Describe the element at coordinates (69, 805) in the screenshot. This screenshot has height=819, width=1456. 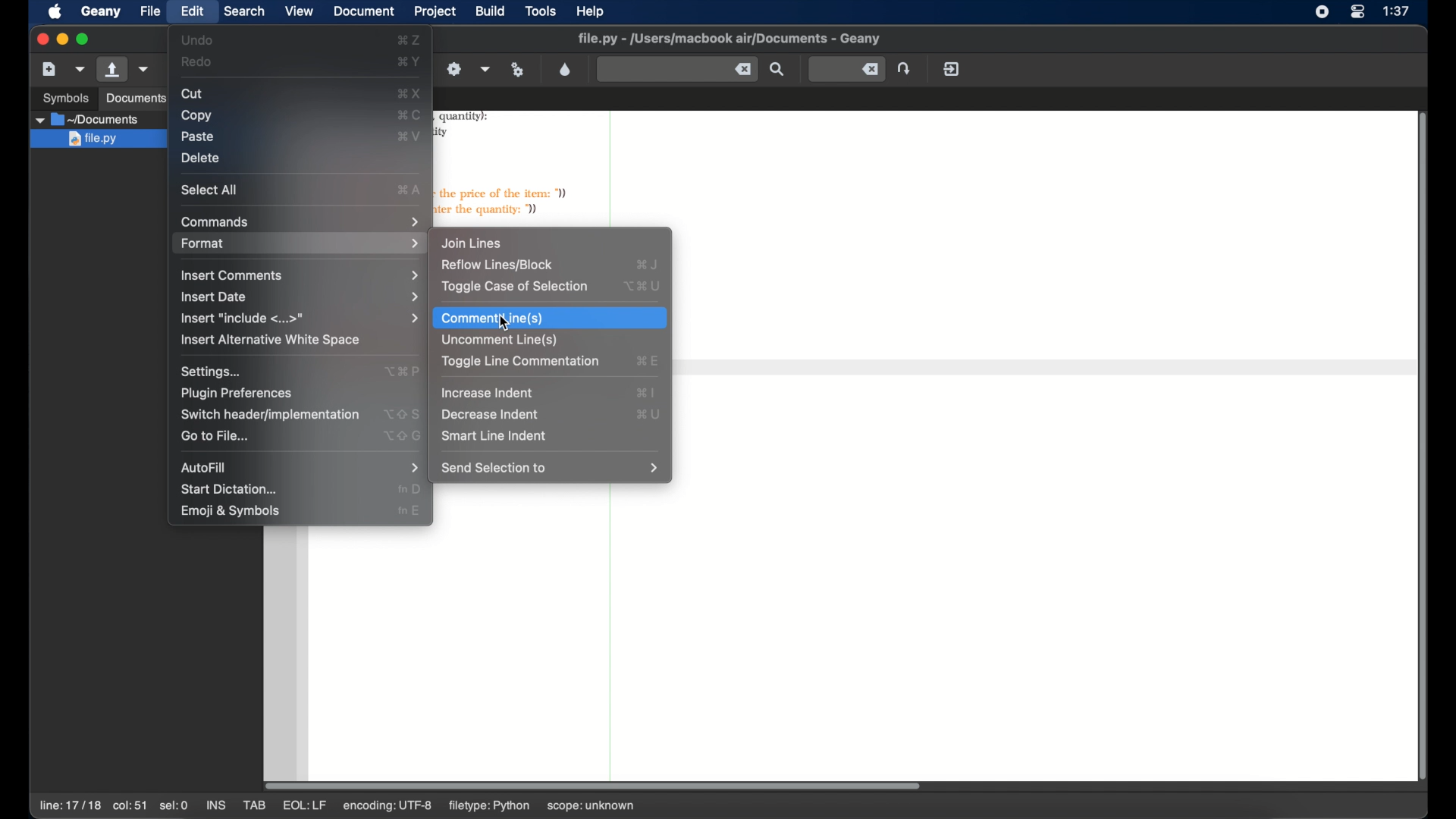
I see `line 17/17` at that location.